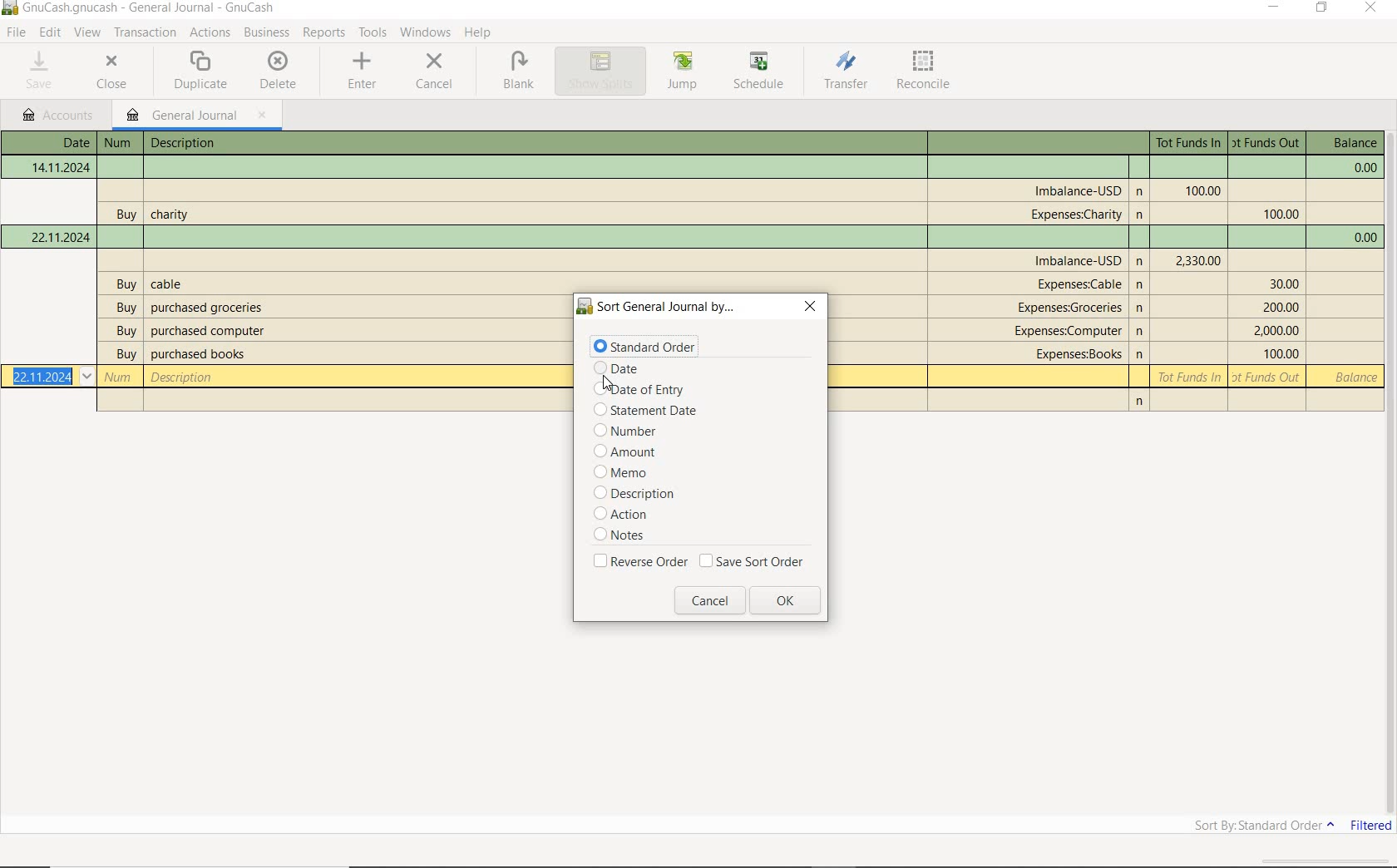 Image resolution: width=1397 pixels, height=868 pixels. Describe the element at coordinates (373, 33) in the screenshot. I see `TOOLS` at that location.